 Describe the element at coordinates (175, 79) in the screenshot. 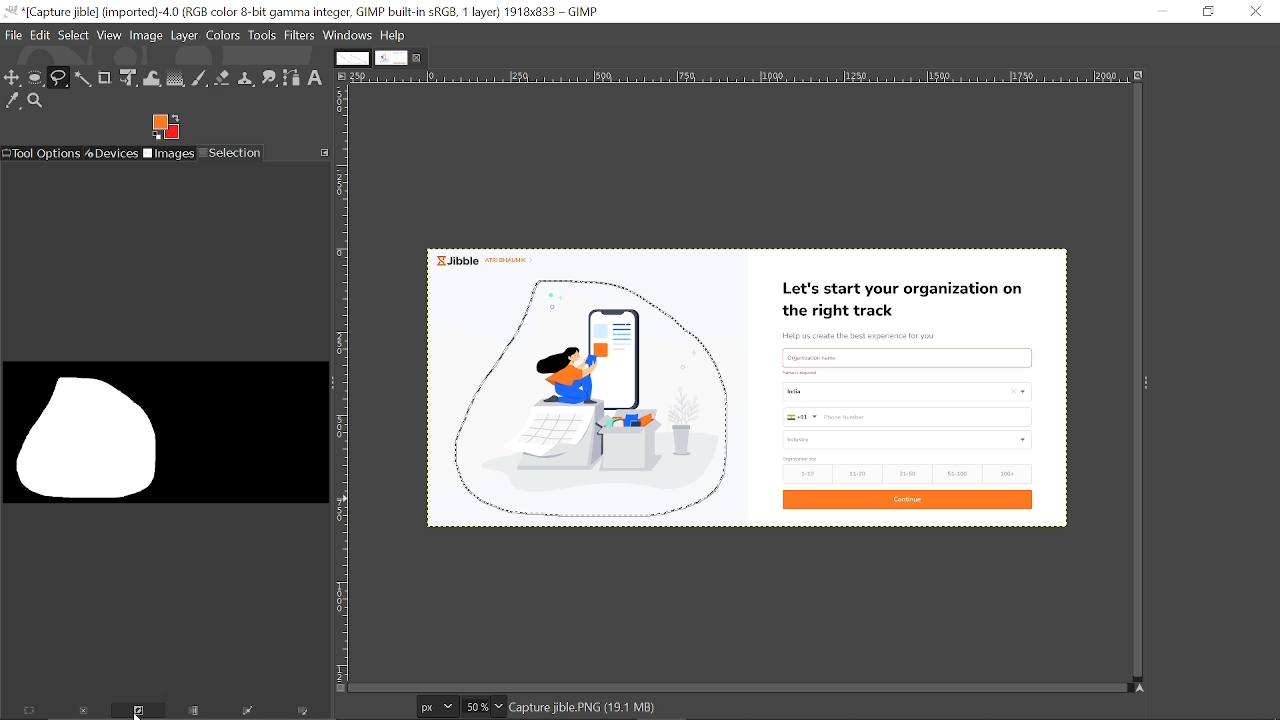

I see `Gradient` at that location.